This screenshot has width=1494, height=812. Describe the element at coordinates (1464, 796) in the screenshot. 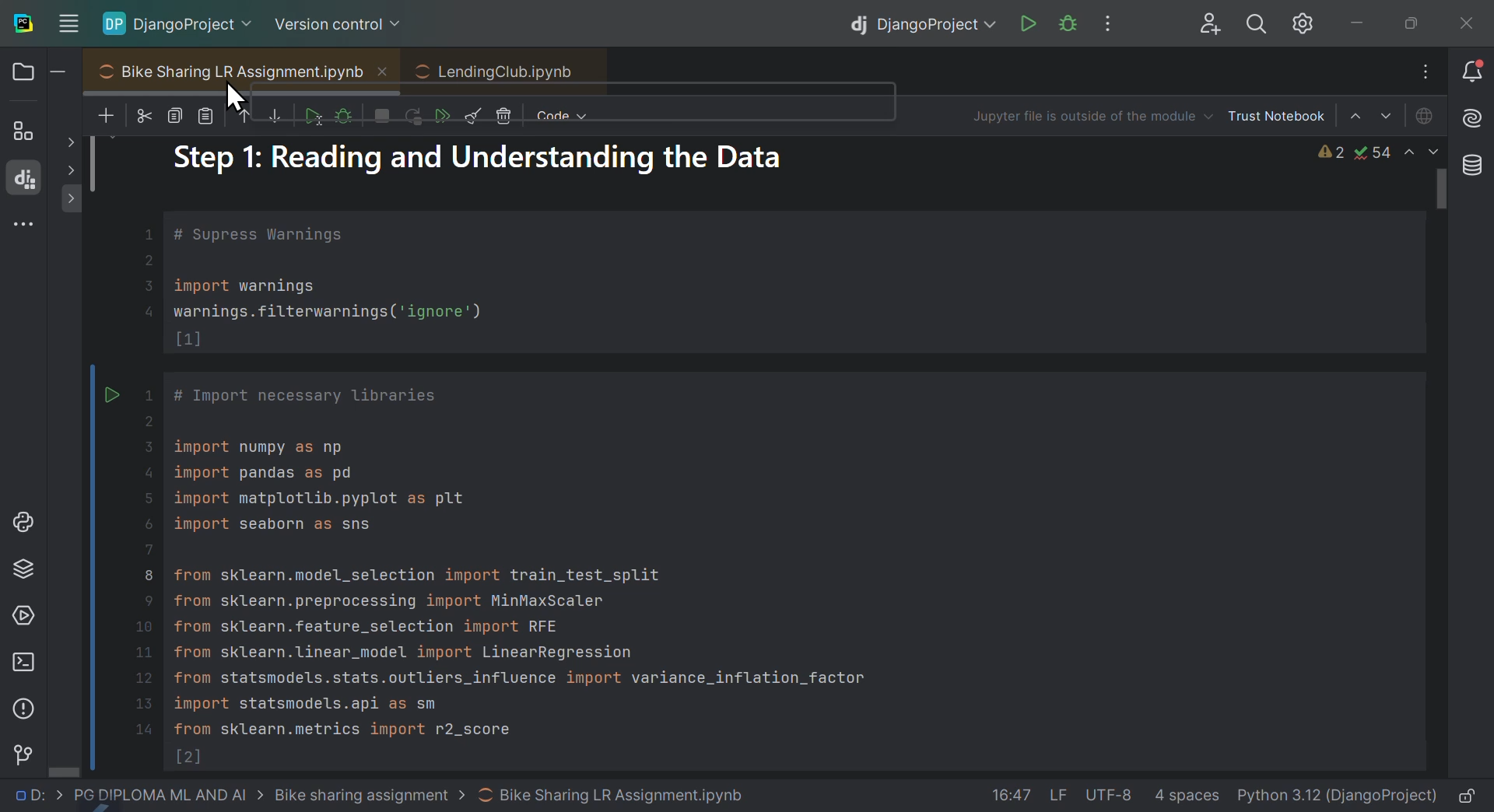

I see `lock` at that location.